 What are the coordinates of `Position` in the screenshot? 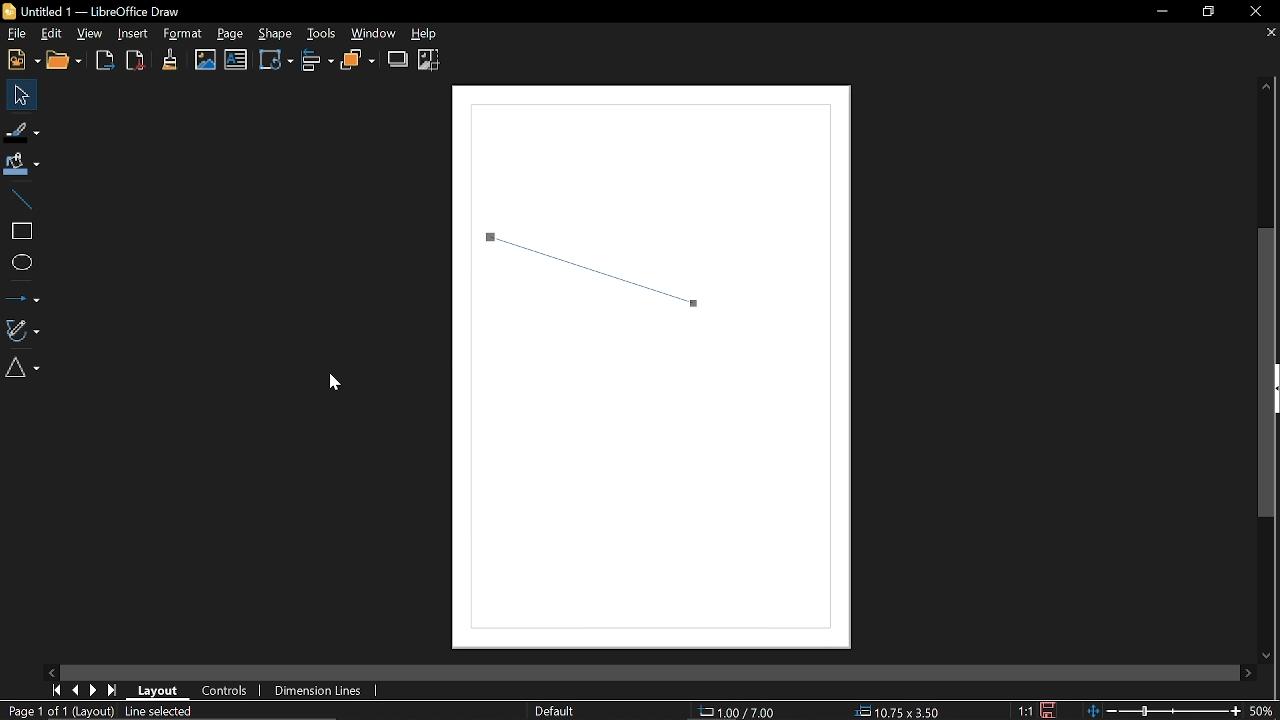 It's located at (742, 711).